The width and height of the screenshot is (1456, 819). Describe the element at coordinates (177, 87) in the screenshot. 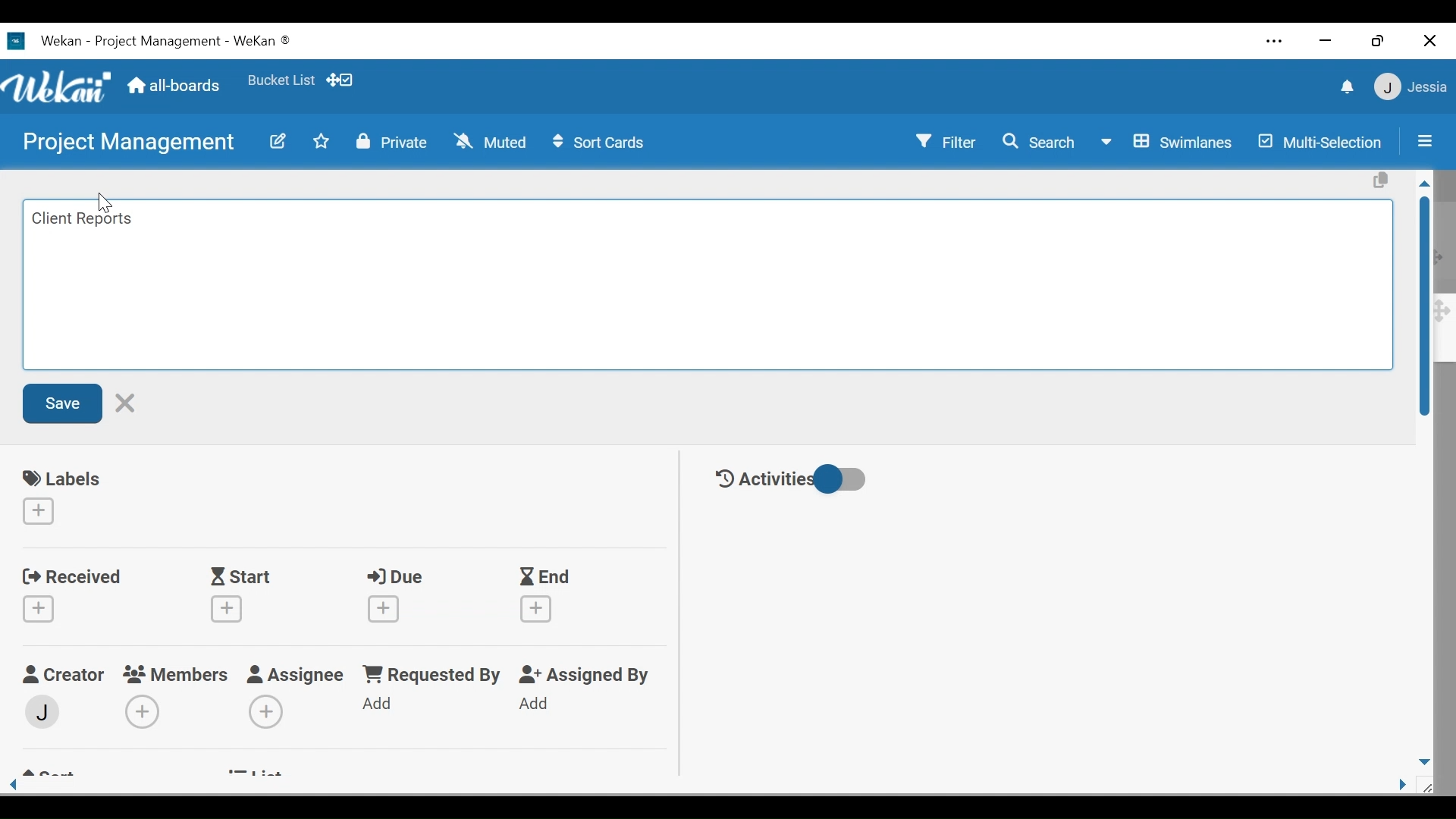

I see `All boards` at that location.